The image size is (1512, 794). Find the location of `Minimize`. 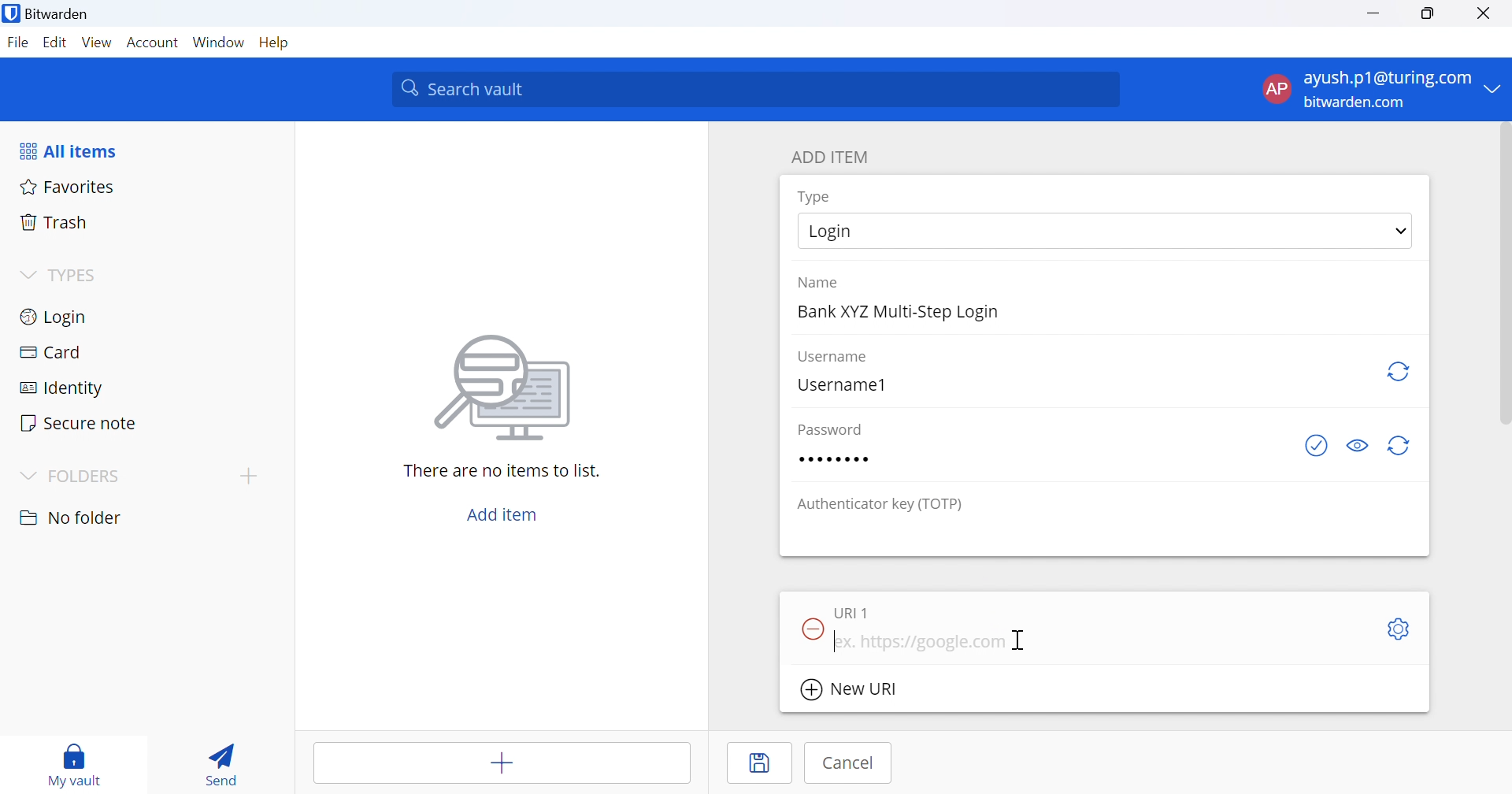

Minimize is located at coordinates (1373, 15).